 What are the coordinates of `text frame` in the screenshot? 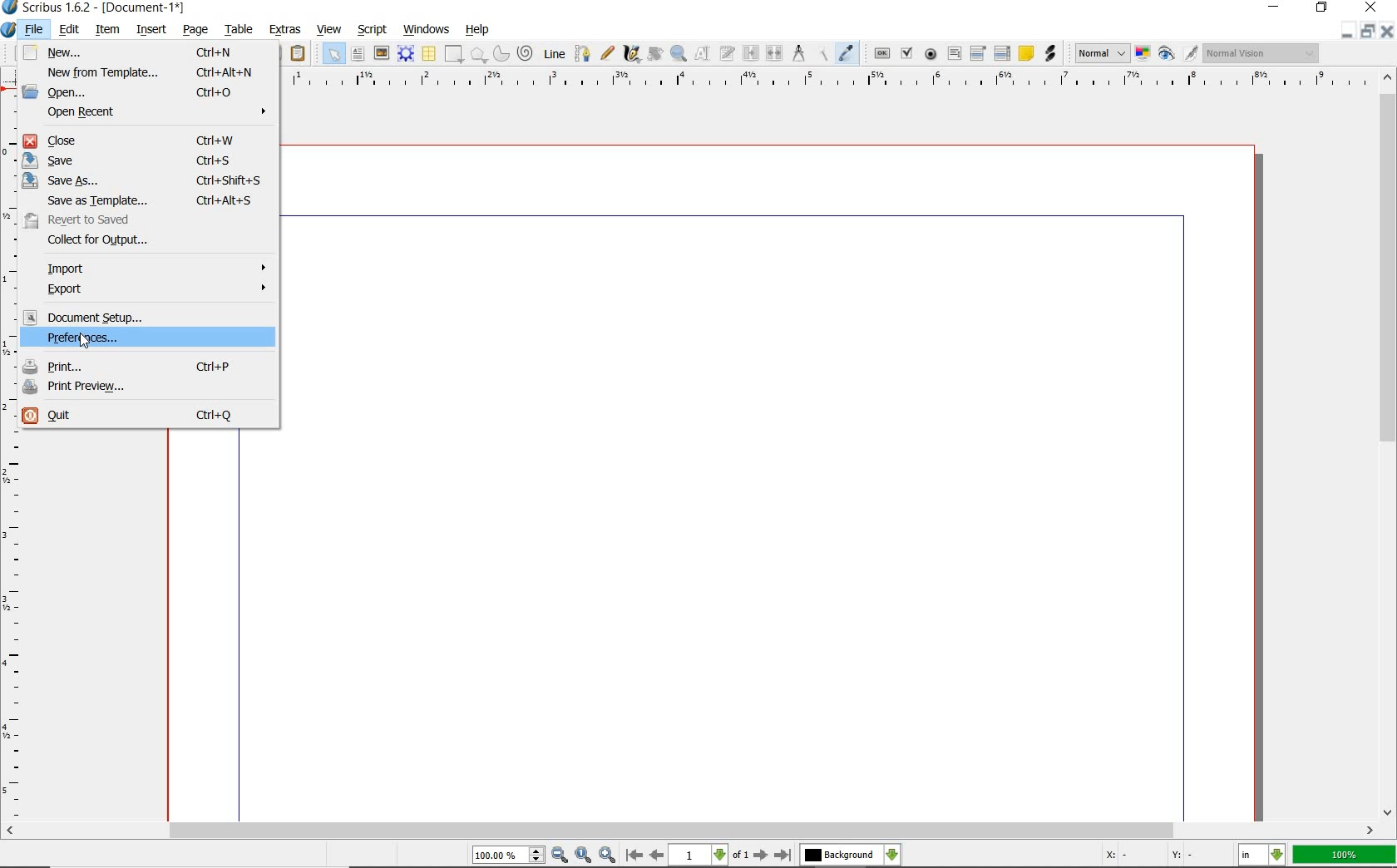 It's located at (358, 53).